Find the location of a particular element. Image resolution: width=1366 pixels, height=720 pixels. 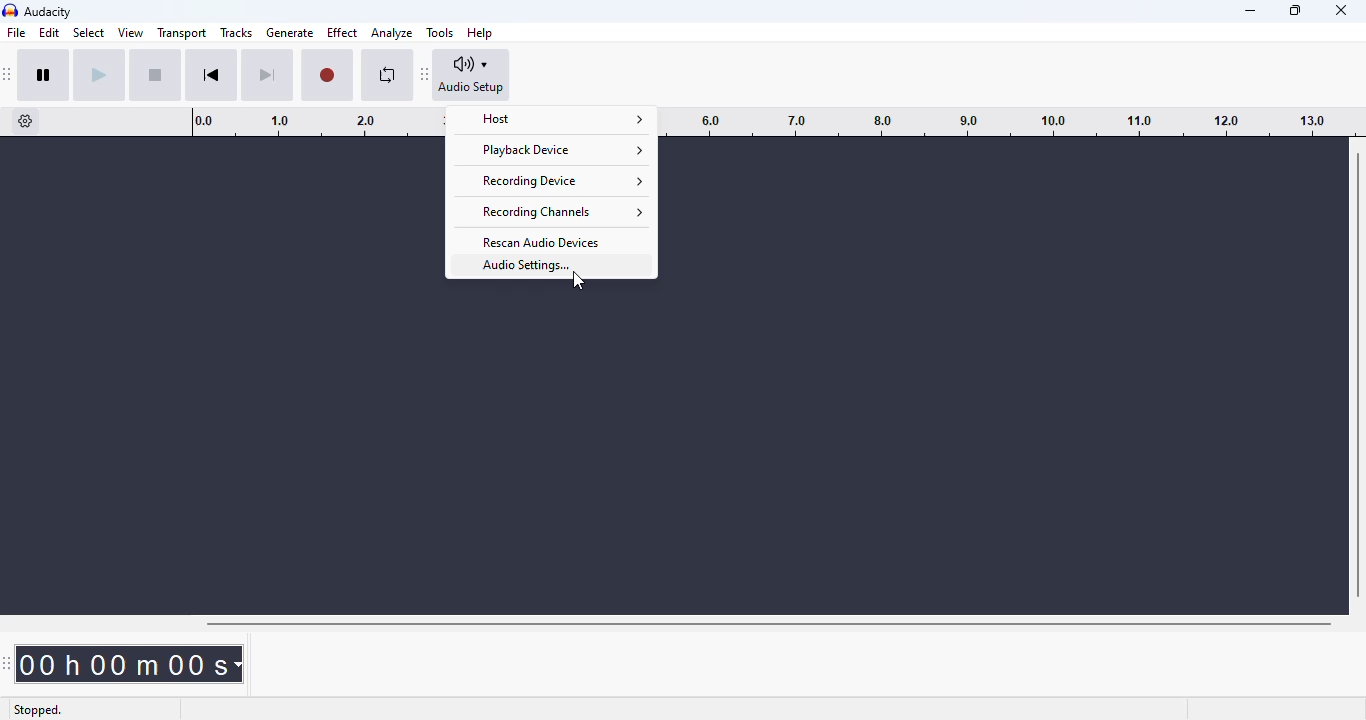

close is located at coordinates (1342, 10).